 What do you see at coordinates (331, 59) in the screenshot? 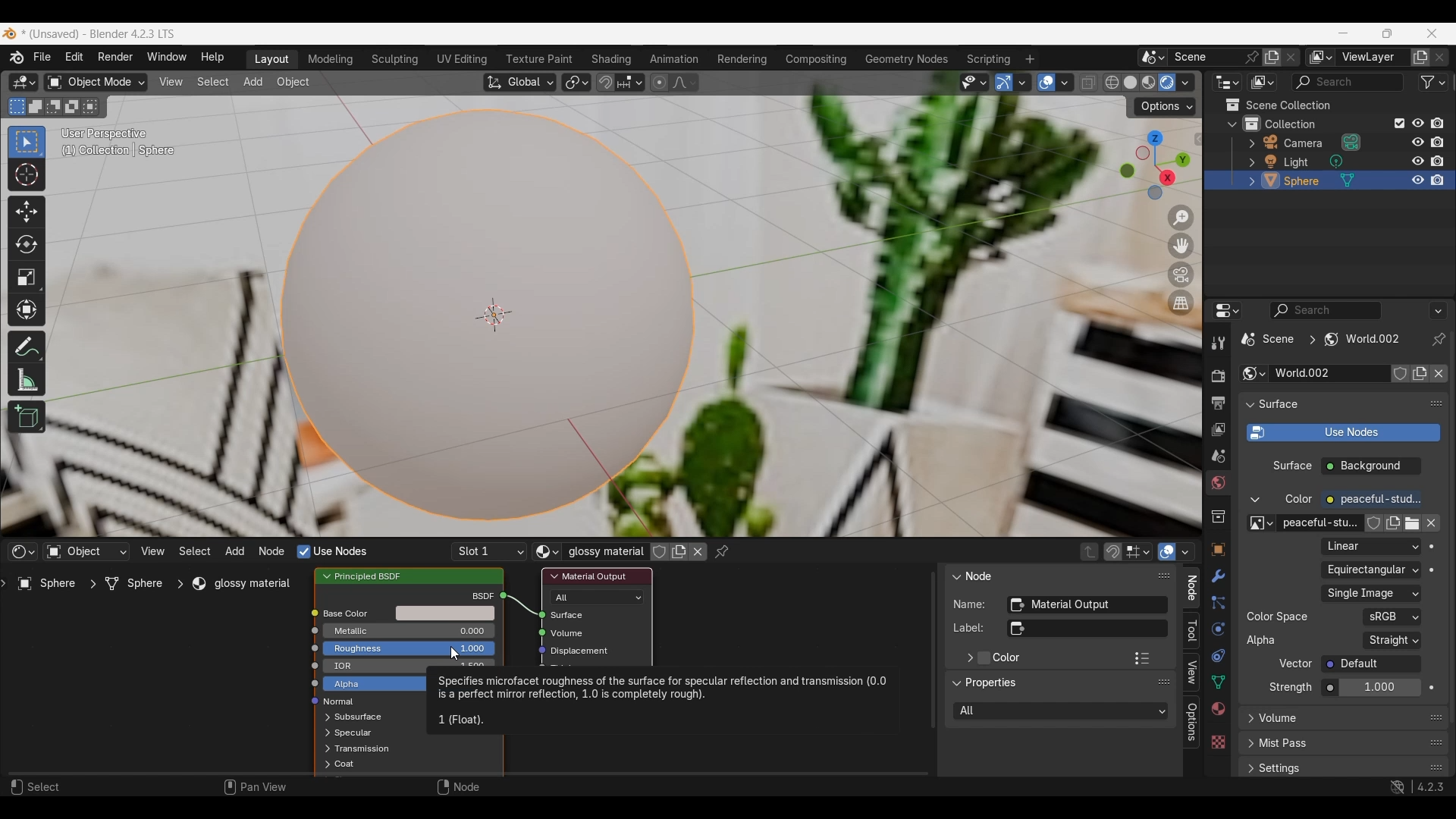
I see `Modeling workspace` at bounding box center [331, 59].